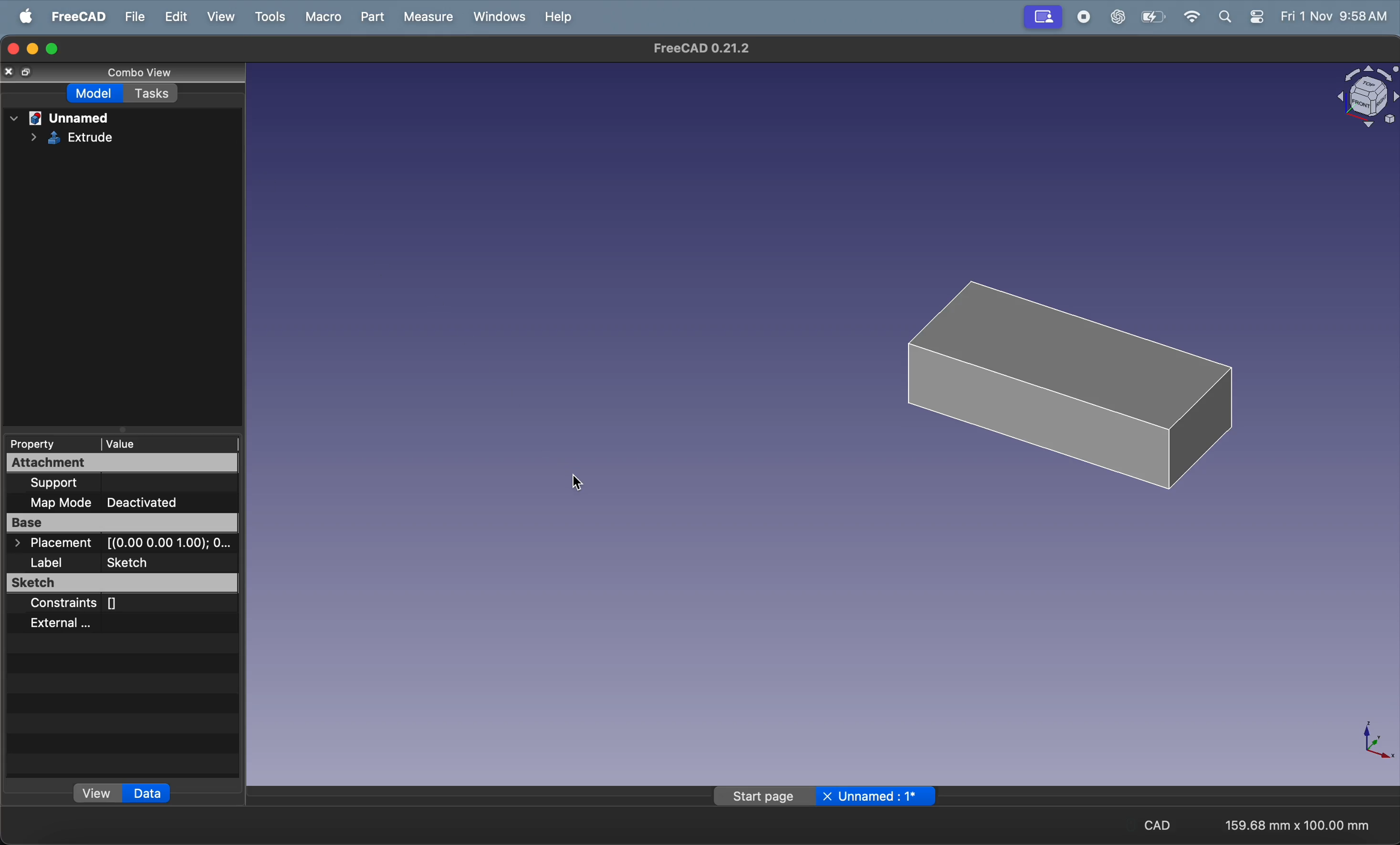 This screenshot has width=1400, height=845. What do you see at coordinates (217, 17) in the screenshot?
I see `view` at bounding box center [217, 17].